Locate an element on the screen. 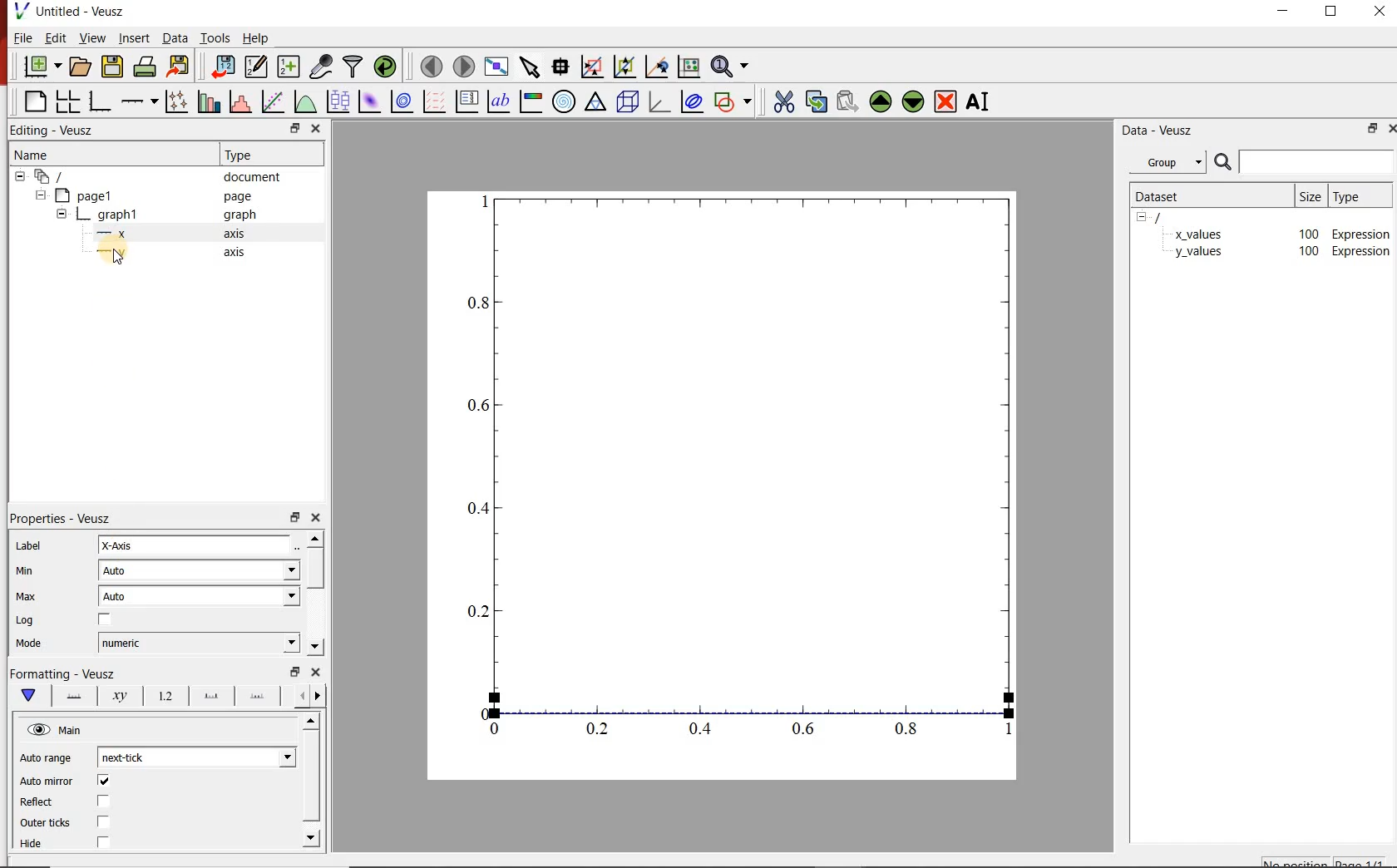 Image resolution: width=1397 pixels, height=868 pixels. bar graph is located at coordinates (100, 103).